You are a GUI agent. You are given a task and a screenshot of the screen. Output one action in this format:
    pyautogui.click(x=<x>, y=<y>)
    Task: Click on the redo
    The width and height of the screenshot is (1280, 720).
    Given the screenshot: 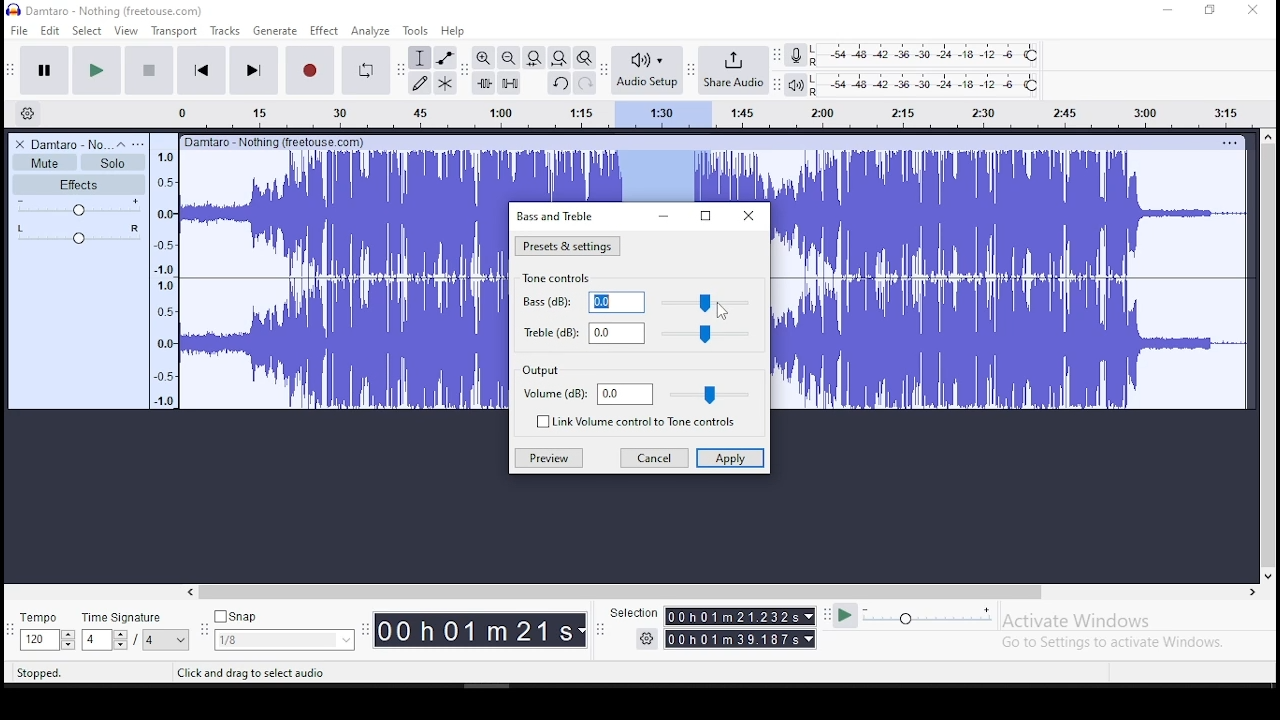 What is the action you would take?
    pyautogui.click(x=585, y=82)
    